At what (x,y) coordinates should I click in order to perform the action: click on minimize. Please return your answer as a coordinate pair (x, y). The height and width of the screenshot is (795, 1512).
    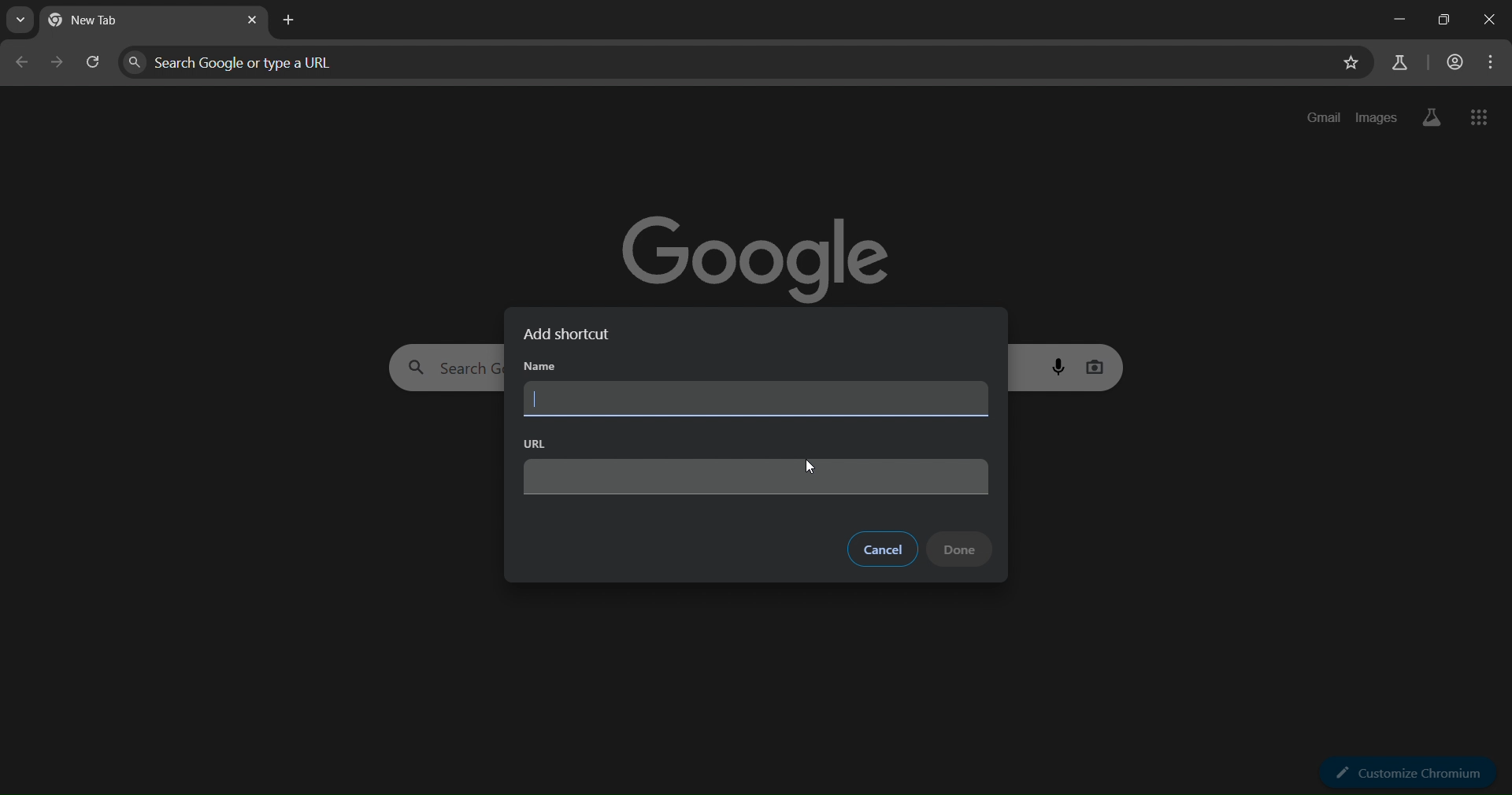
    Looking at the image, I should click on (1395, 22).